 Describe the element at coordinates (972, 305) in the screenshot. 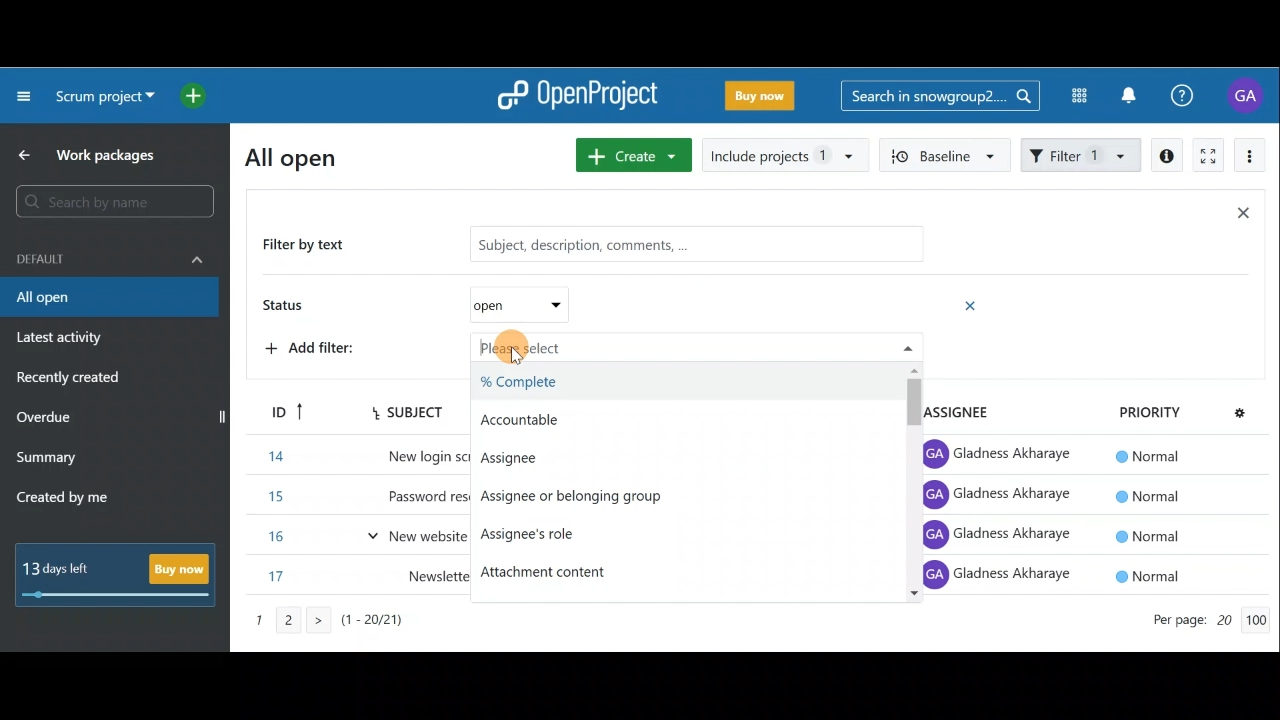

I see `Remove` at that location.